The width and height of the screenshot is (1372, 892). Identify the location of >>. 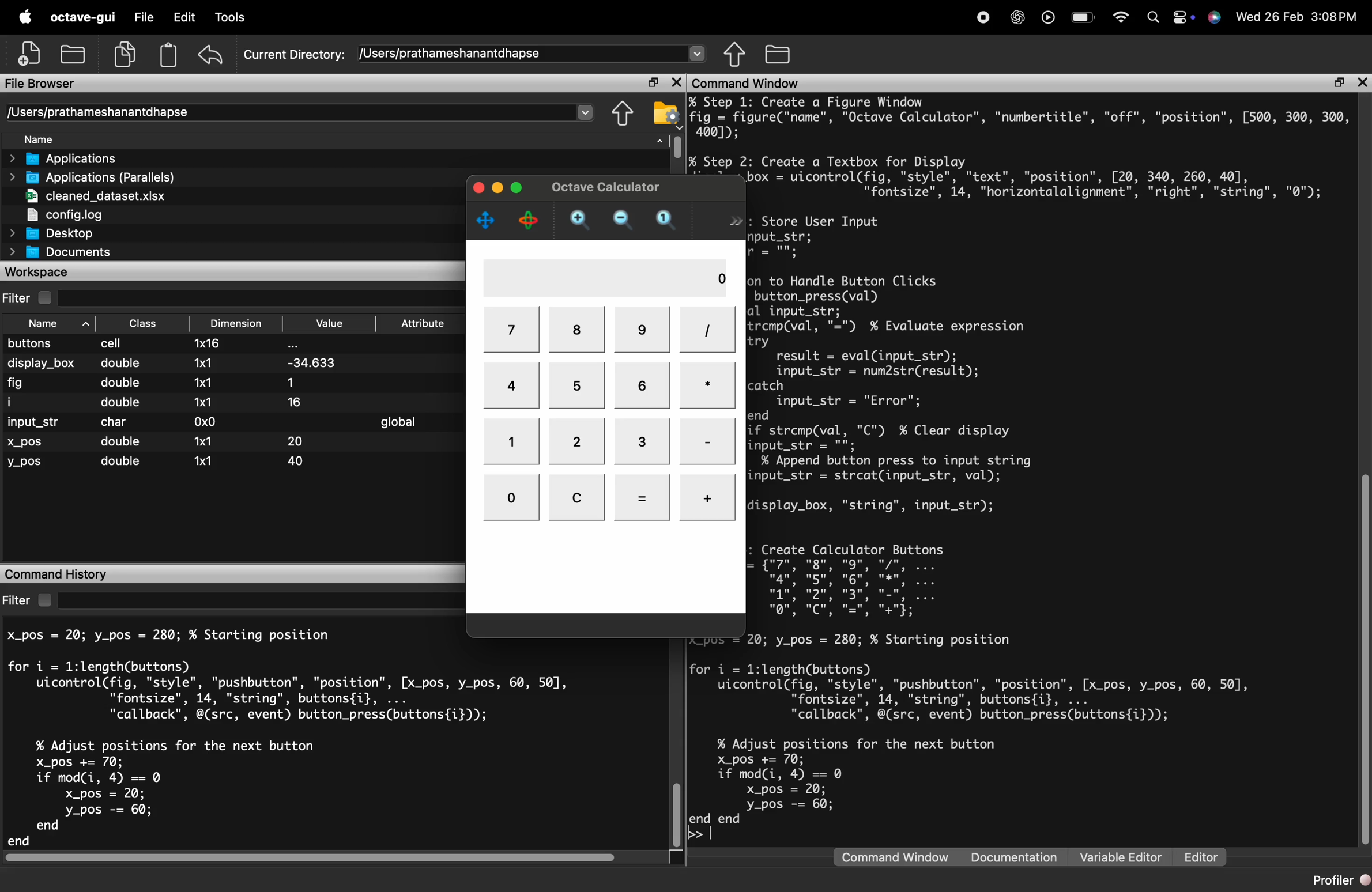
(731, 220).